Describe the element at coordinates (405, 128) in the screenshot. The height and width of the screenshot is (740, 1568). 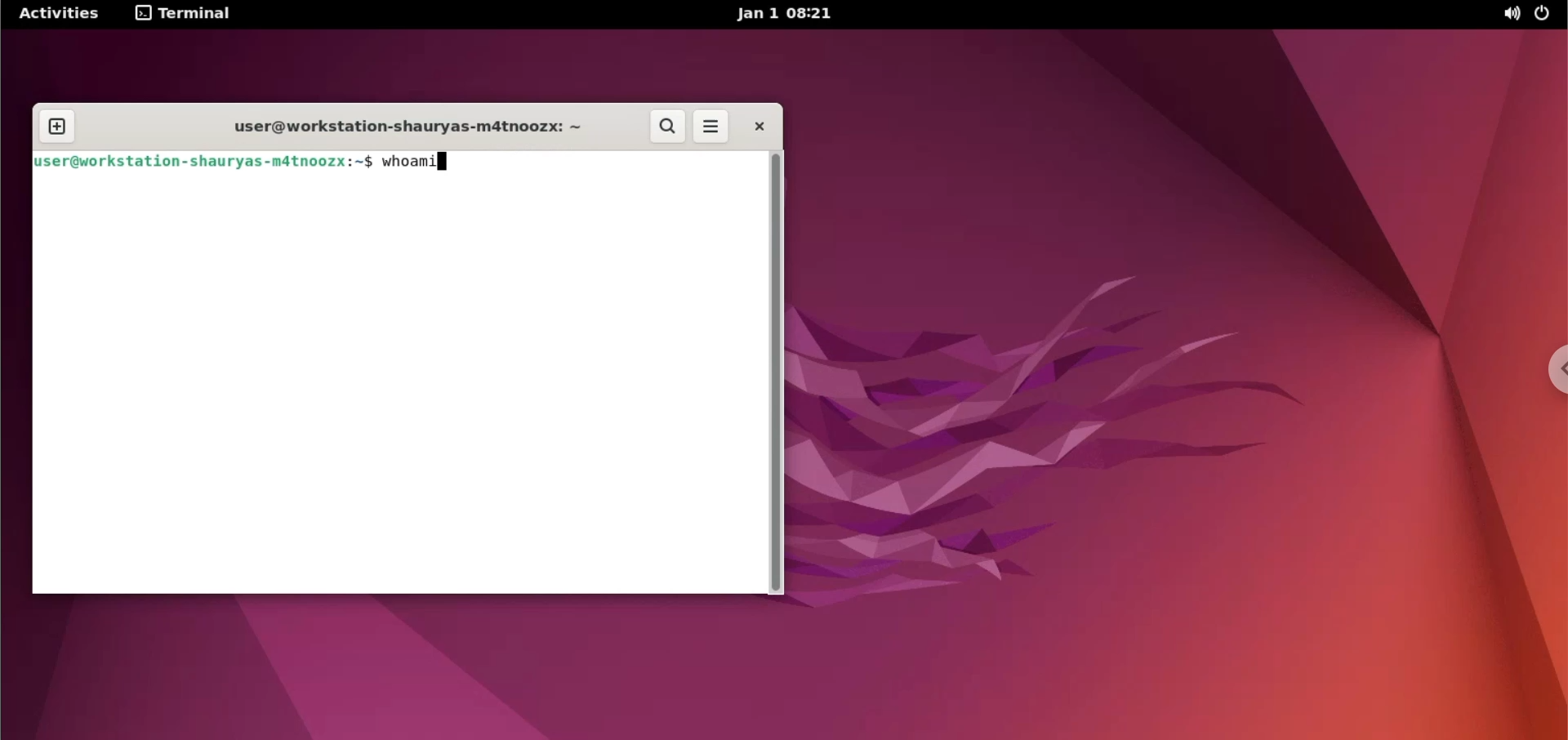
I see `user@workstation-shauryas-m4tnoozx: ~` at that location.